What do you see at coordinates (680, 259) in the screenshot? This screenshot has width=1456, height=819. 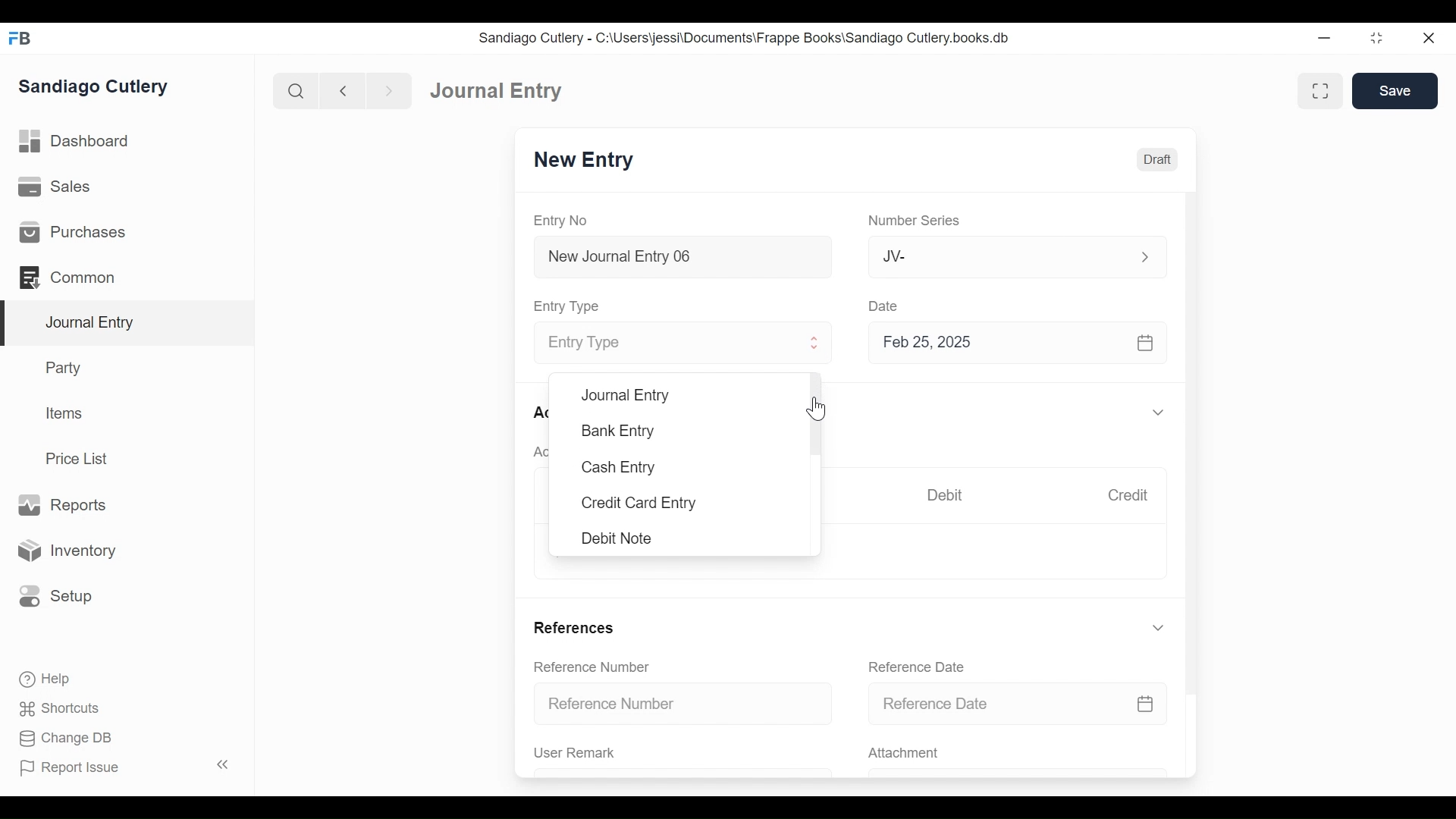 I see `New Journal Entry 06` at bounding box center [680, 259].